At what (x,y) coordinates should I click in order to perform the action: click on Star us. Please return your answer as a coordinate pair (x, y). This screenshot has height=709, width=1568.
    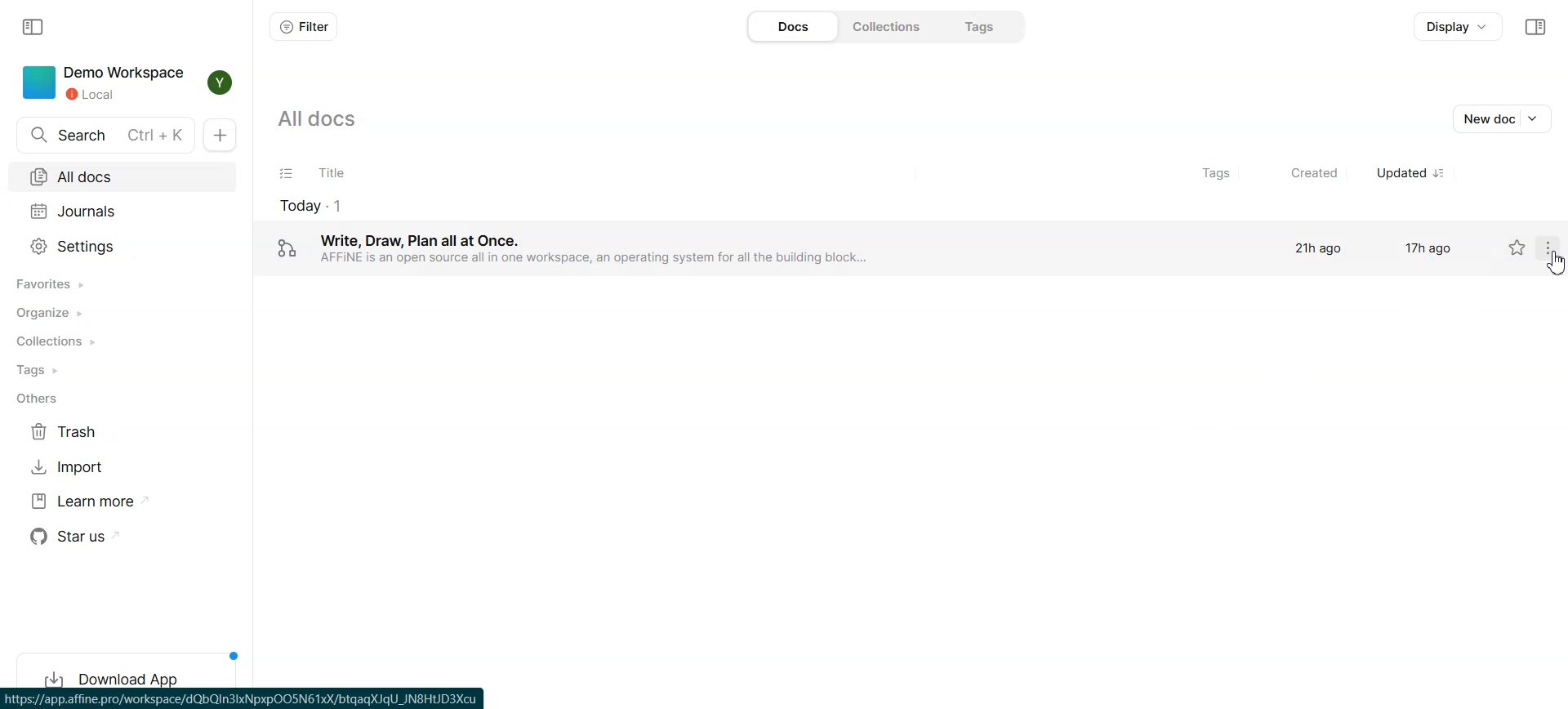
    Looking at the image, I should click on (126, 535).